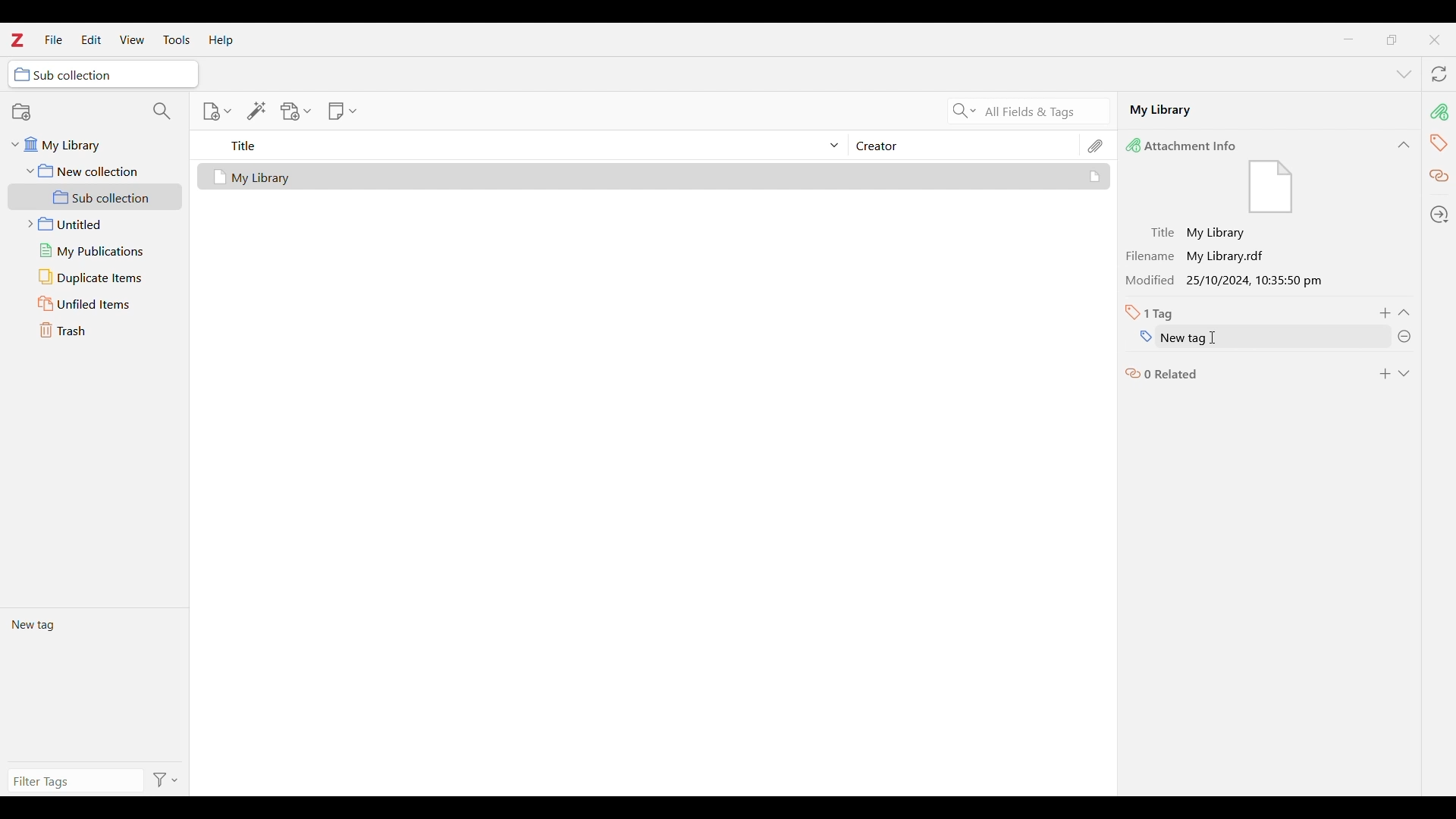  Describe the element at coordinates (1271, 188) in the screenshot. I see `` at that location.